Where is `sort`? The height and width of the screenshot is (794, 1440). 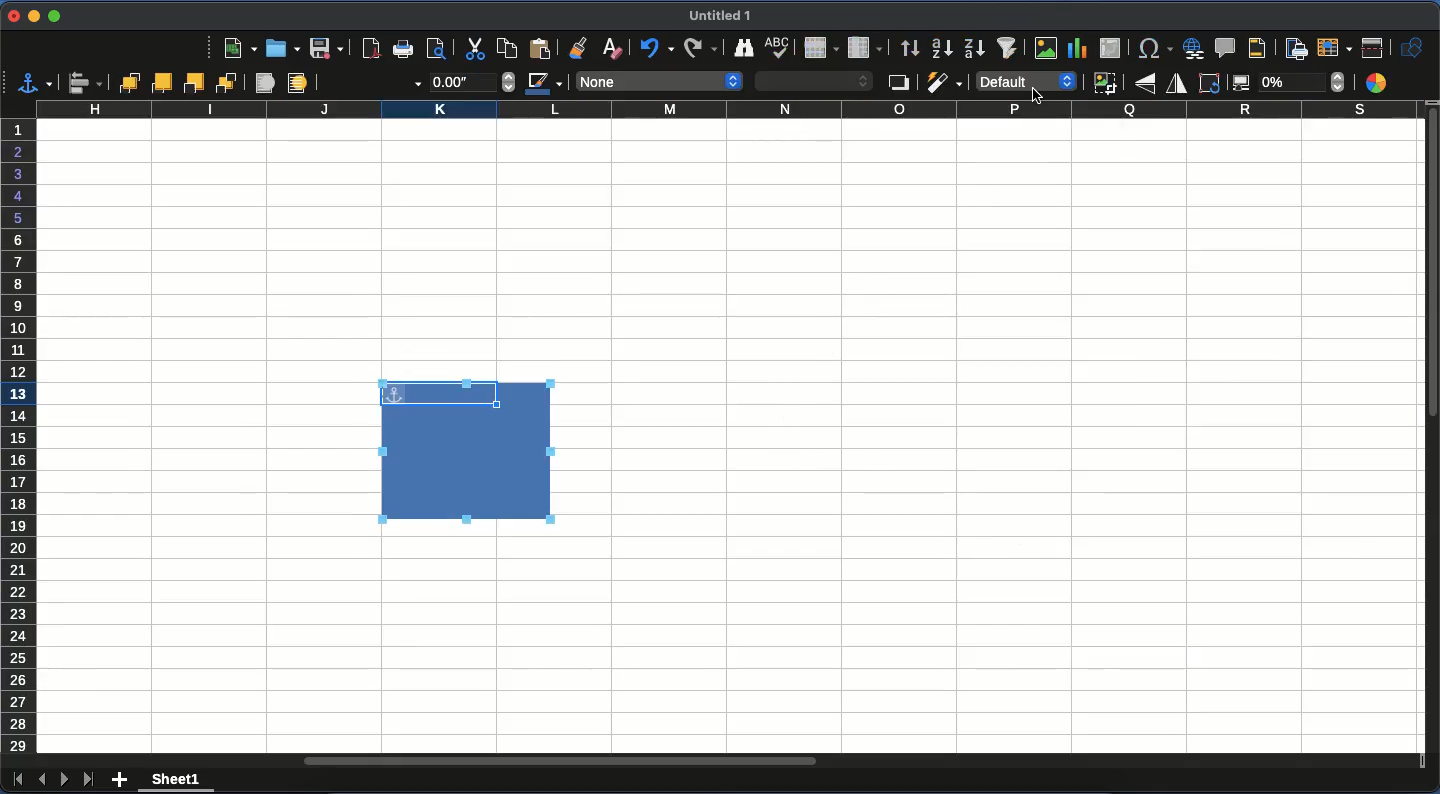 sort is located at coordinates (909, 47).